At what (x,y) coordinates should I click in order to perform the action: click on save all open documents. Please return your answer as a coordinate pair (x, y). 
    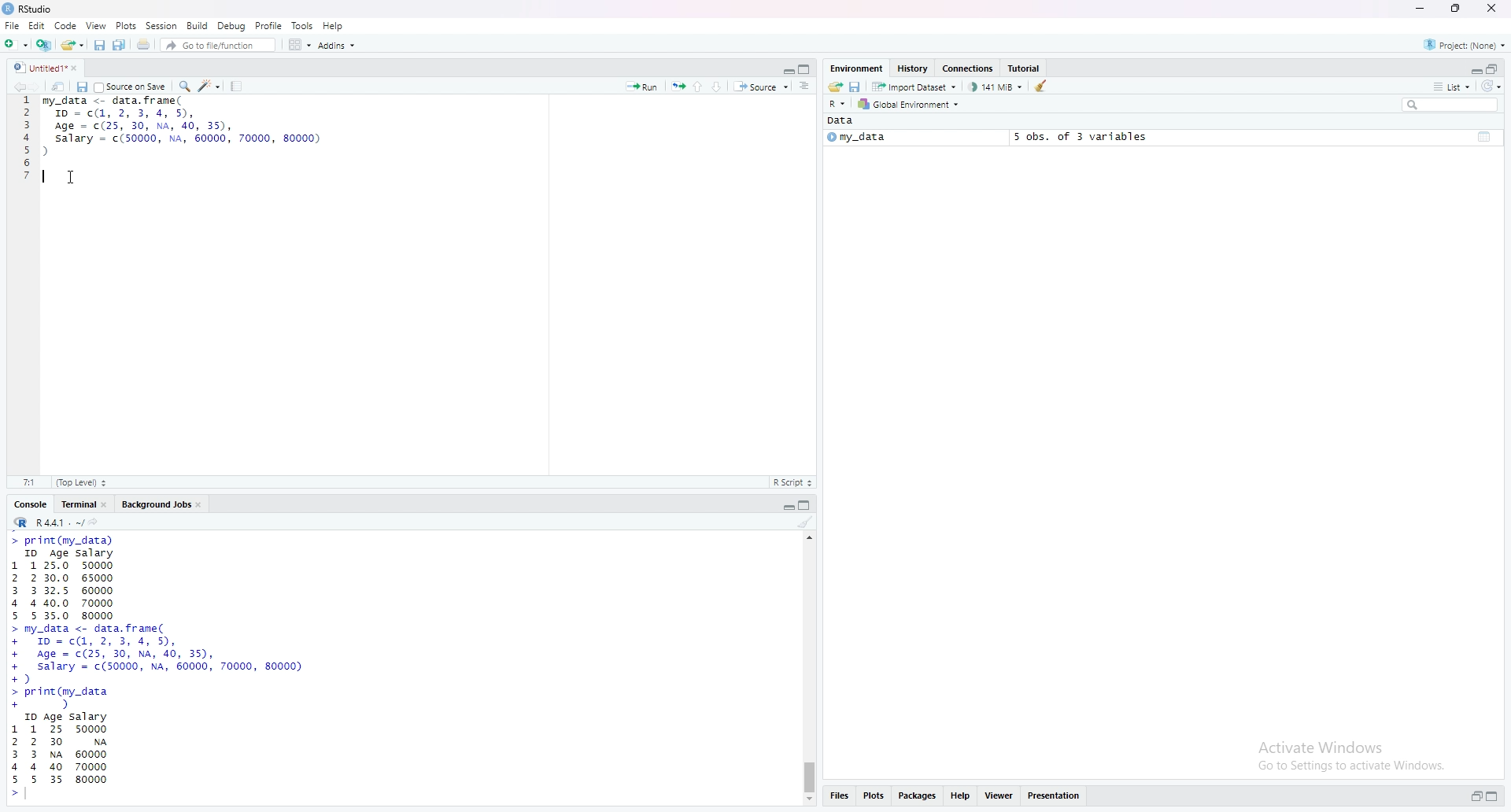
    Looking at the image, I should click on (120, 45).